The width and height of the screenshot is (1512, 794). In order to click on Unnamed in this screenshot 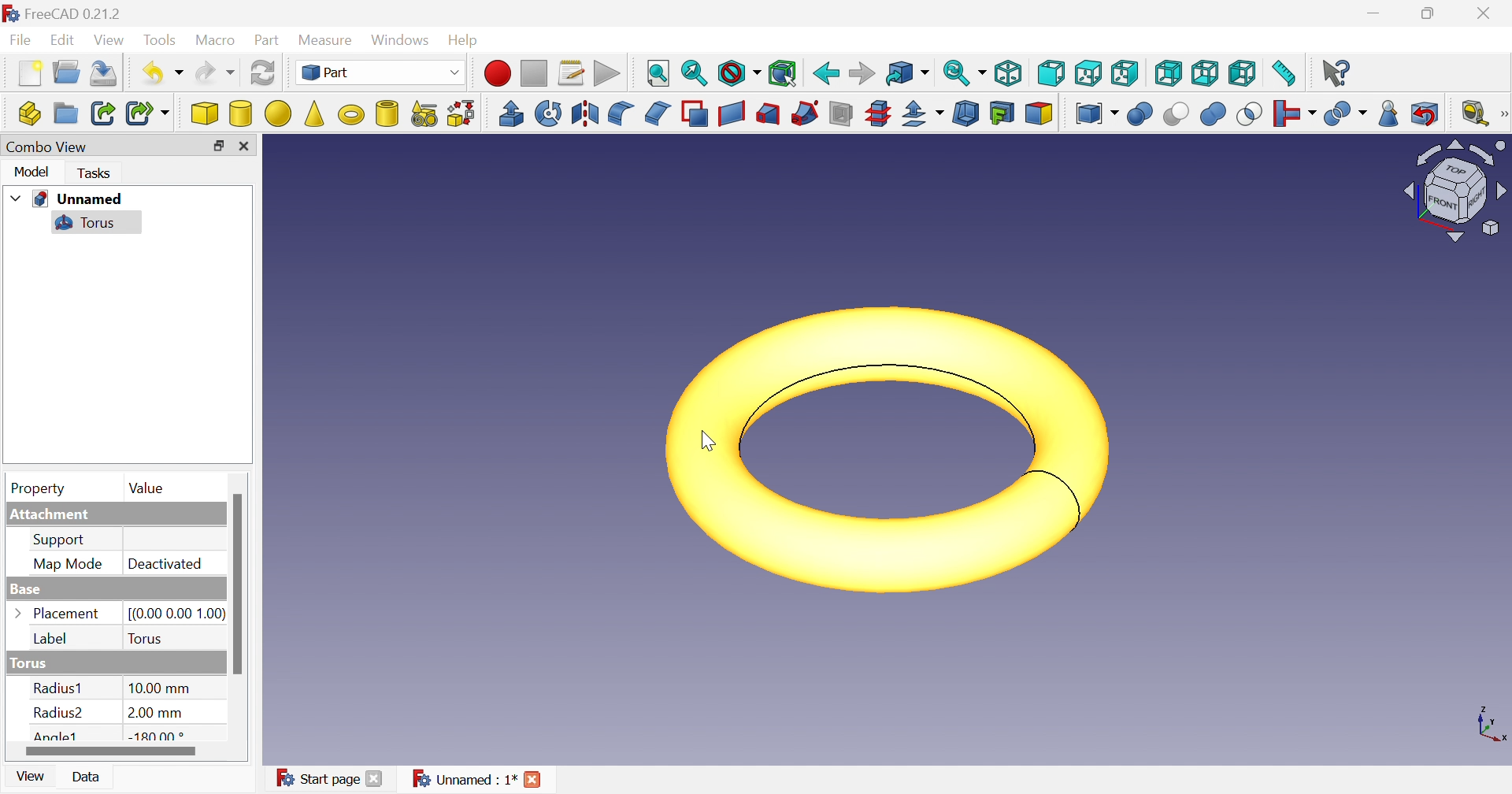, I will do `click(80, 199)`.